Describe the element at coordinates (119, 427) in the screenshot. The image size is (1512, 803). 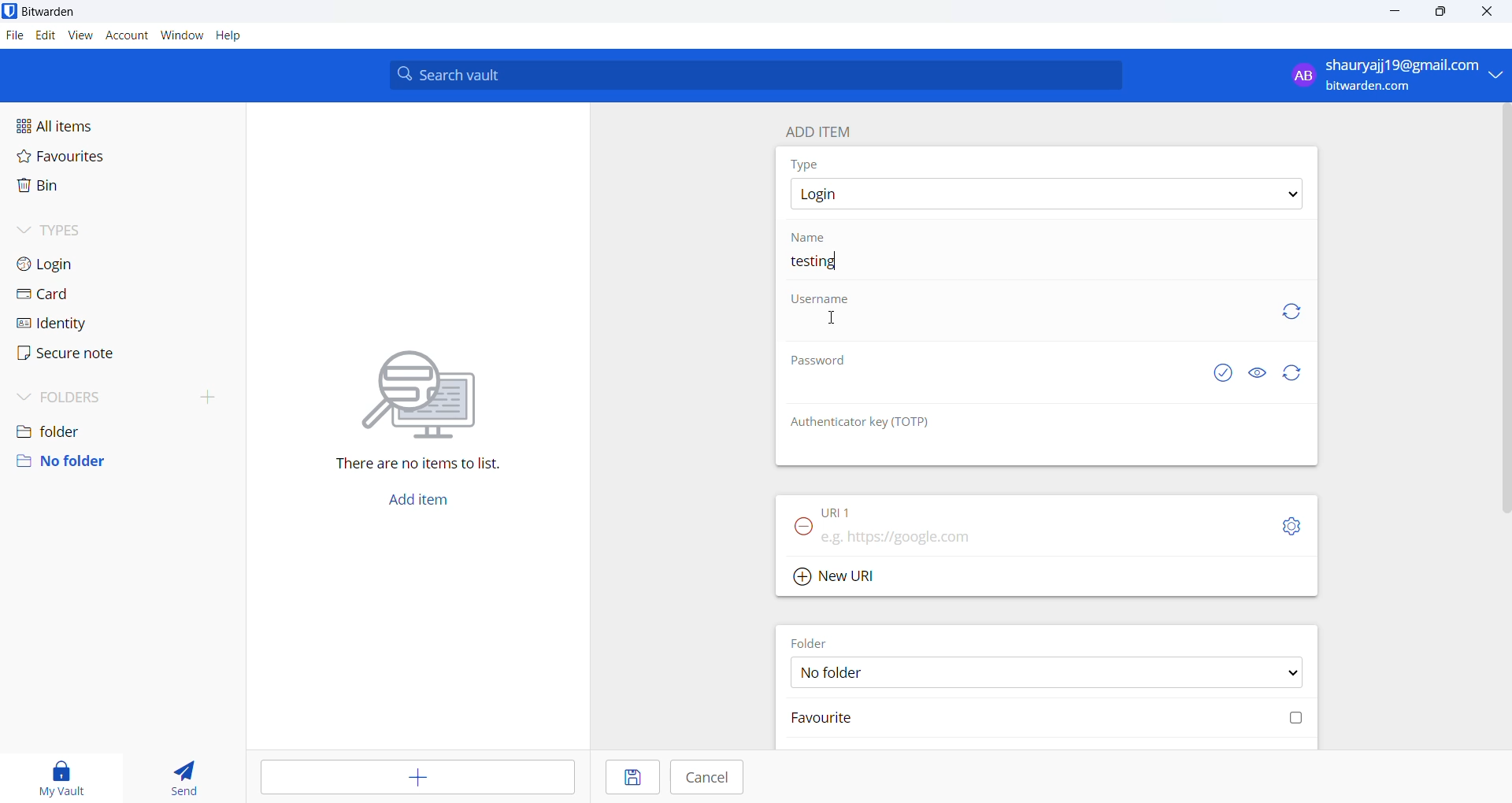
I see `folder` at that location.